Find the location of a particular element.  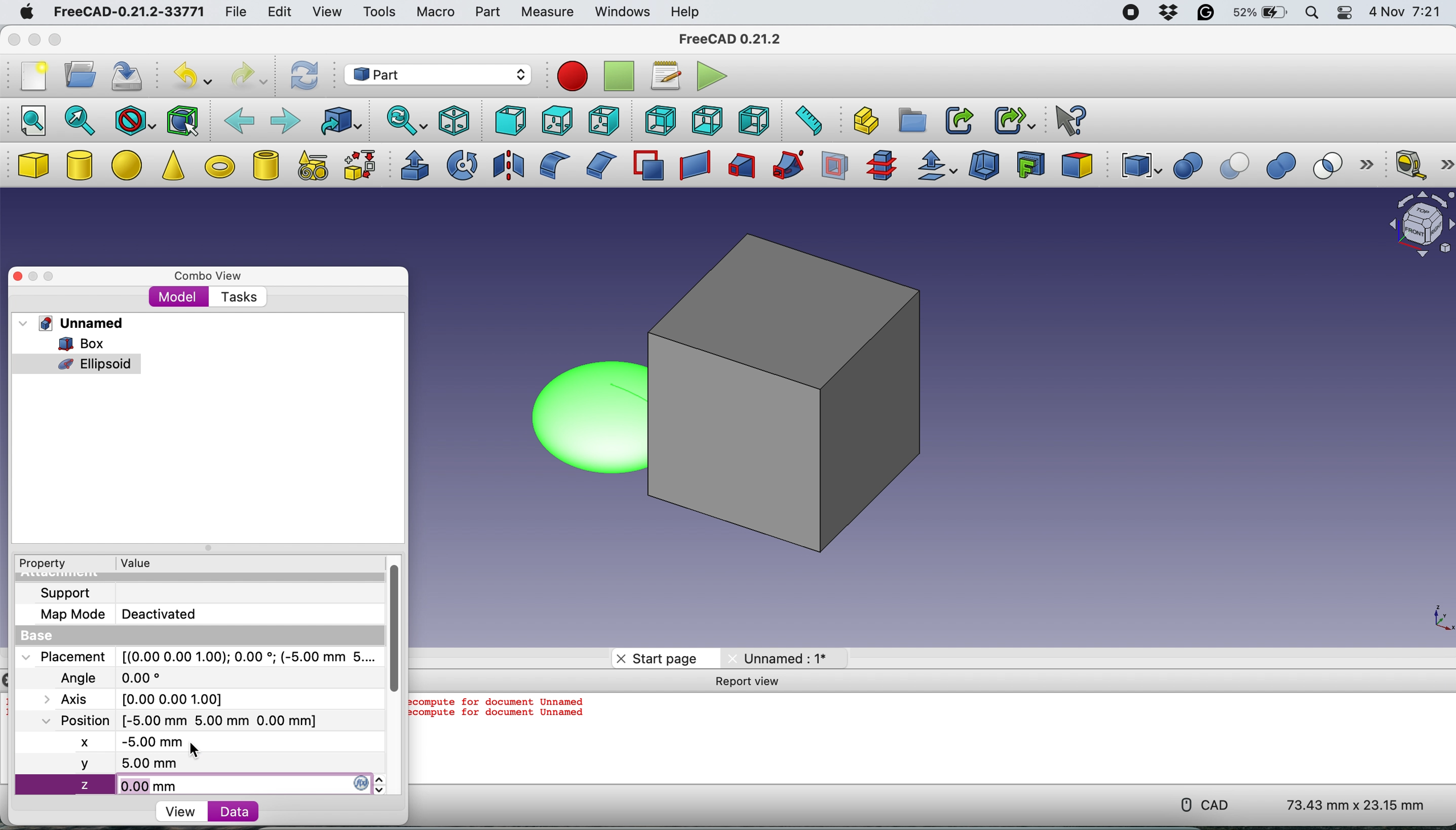

box is located at coordinates (78, 343).